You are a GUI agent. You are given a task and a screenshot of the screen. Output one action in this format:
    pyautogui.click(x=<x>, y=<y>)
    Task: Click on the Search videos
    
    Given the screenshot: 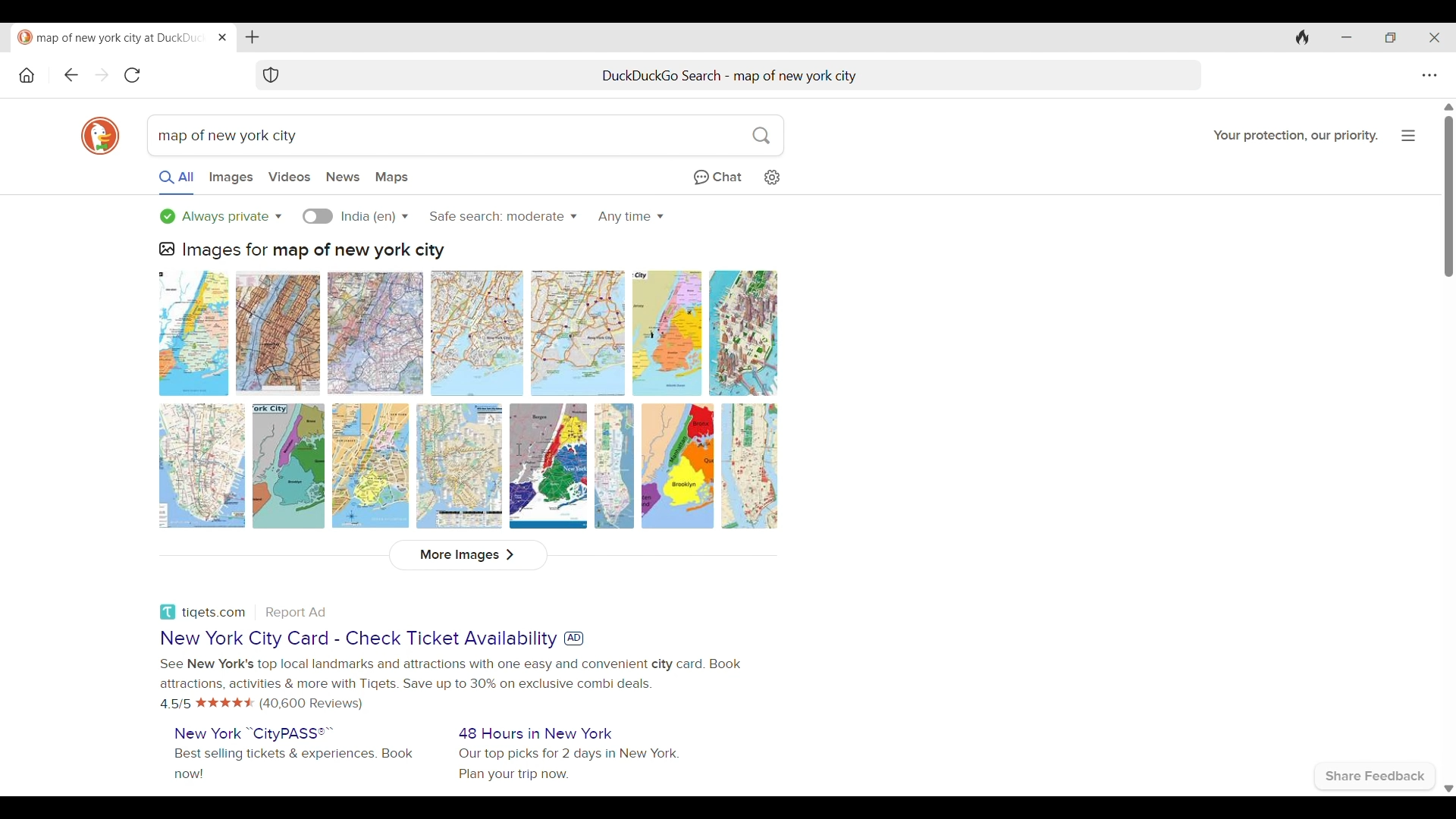 What is the action you would take?
    pyautogui.click(x=290, y=177)
    